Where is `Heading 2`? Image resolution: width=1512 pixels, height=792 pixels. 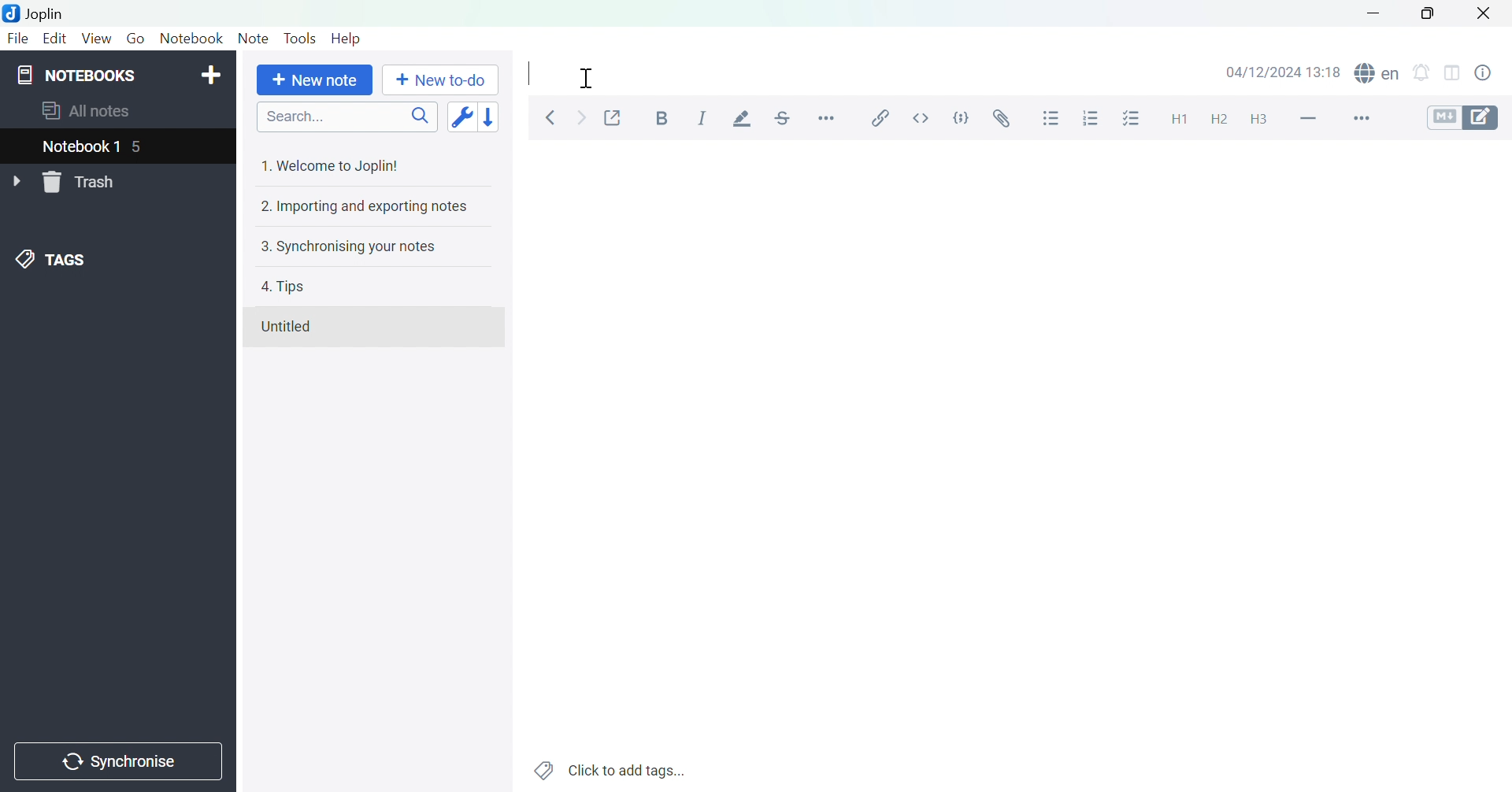
Heading 2 is located at coordinates (1218, 121).